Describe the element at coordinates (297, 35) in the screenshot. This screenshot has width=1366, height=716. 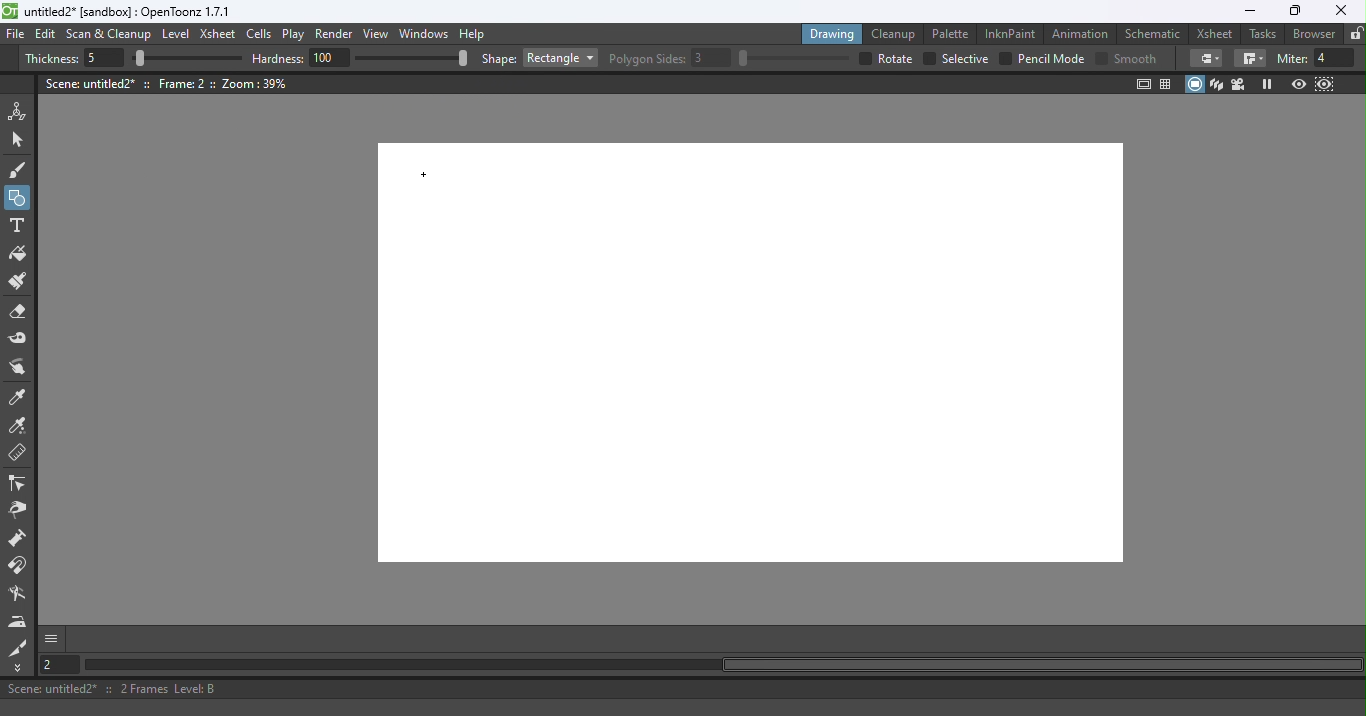
I see `Play` at that location.